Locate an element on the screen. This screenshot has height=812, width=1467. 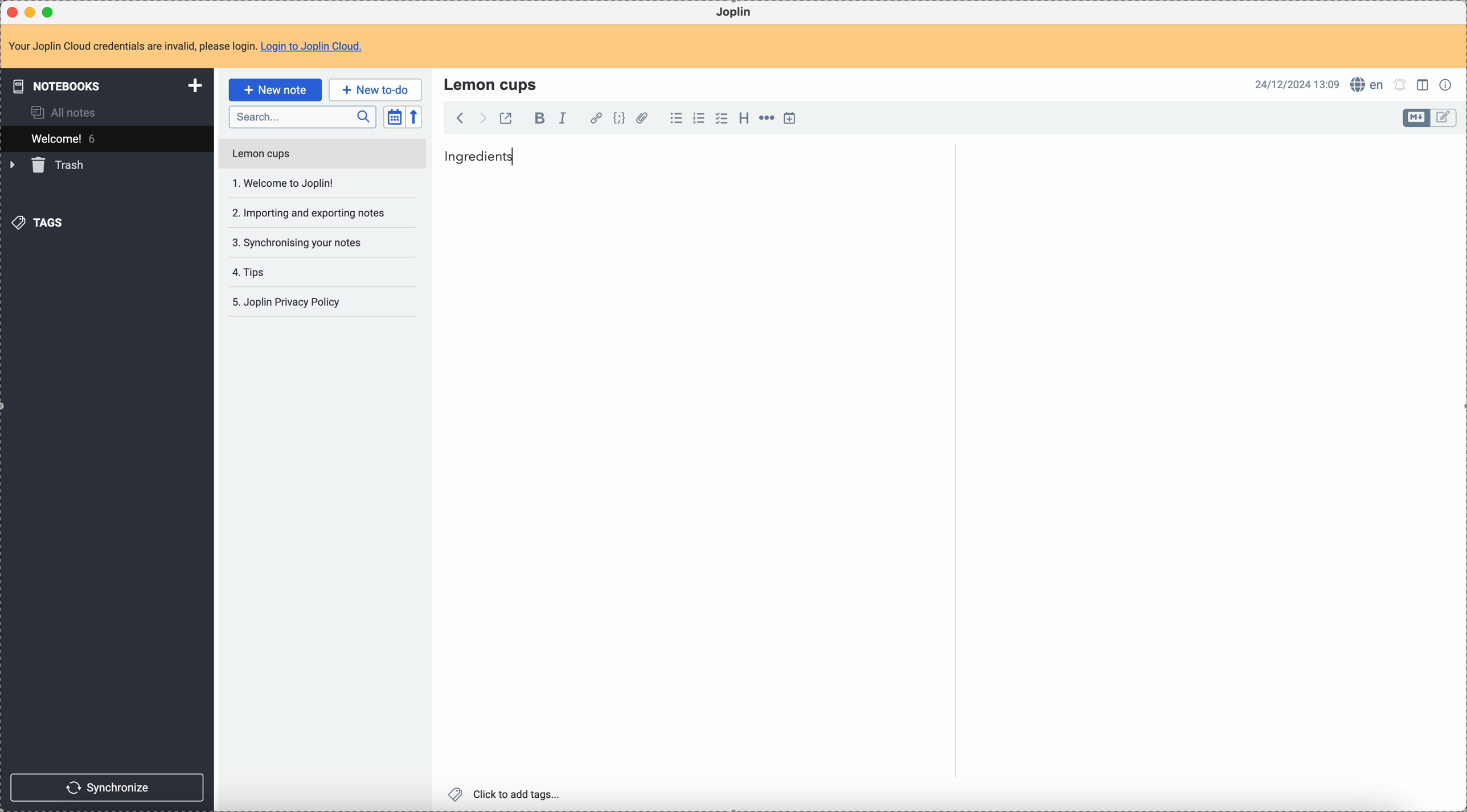
set notifications is located at coordinates (1400, 84).